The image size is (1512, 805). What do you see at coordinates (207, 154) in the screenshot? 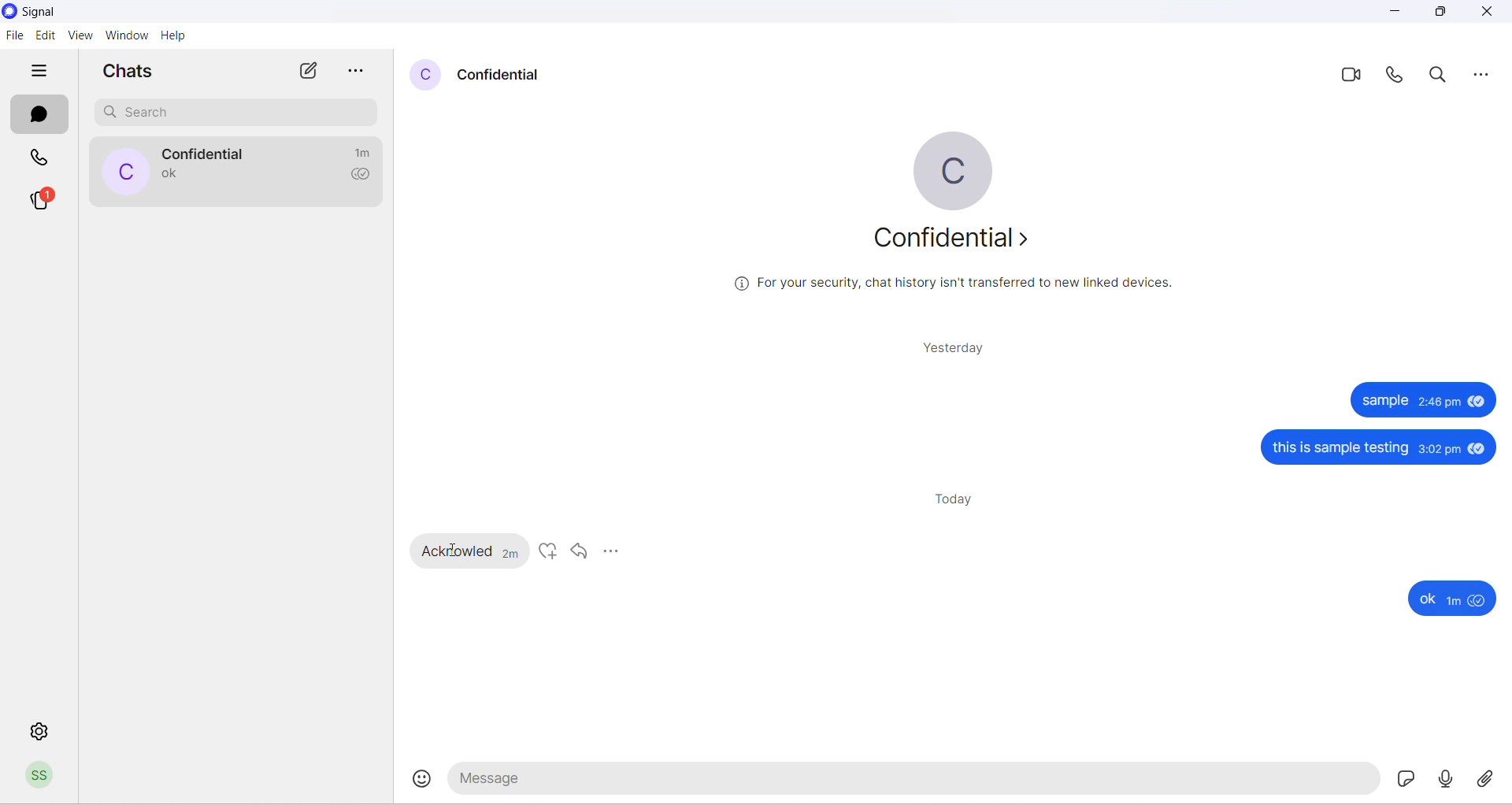
I see `contact name` at bounding box center [207, 154].